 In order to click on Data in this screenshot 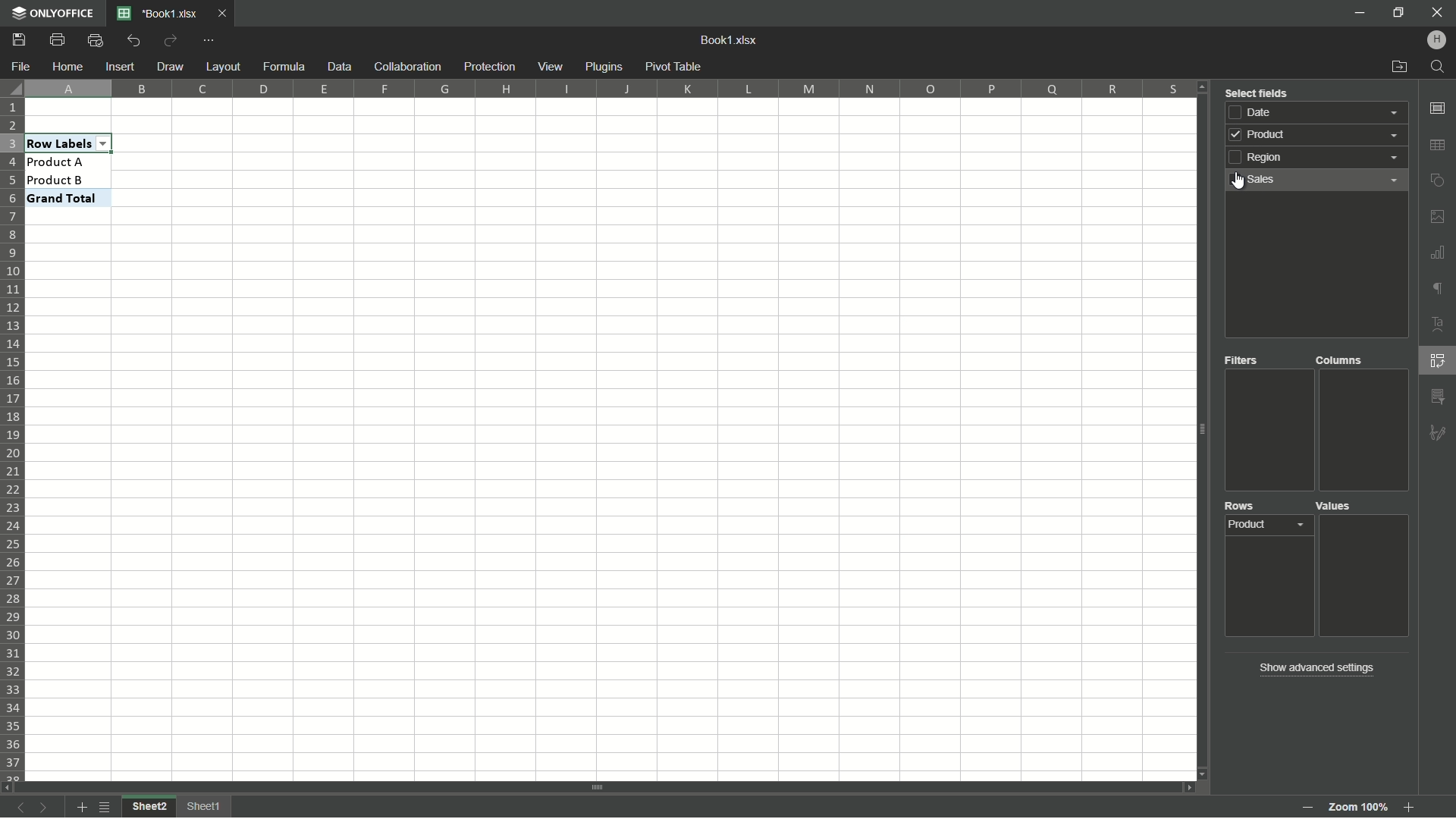, I will do `click(337, 66)`.